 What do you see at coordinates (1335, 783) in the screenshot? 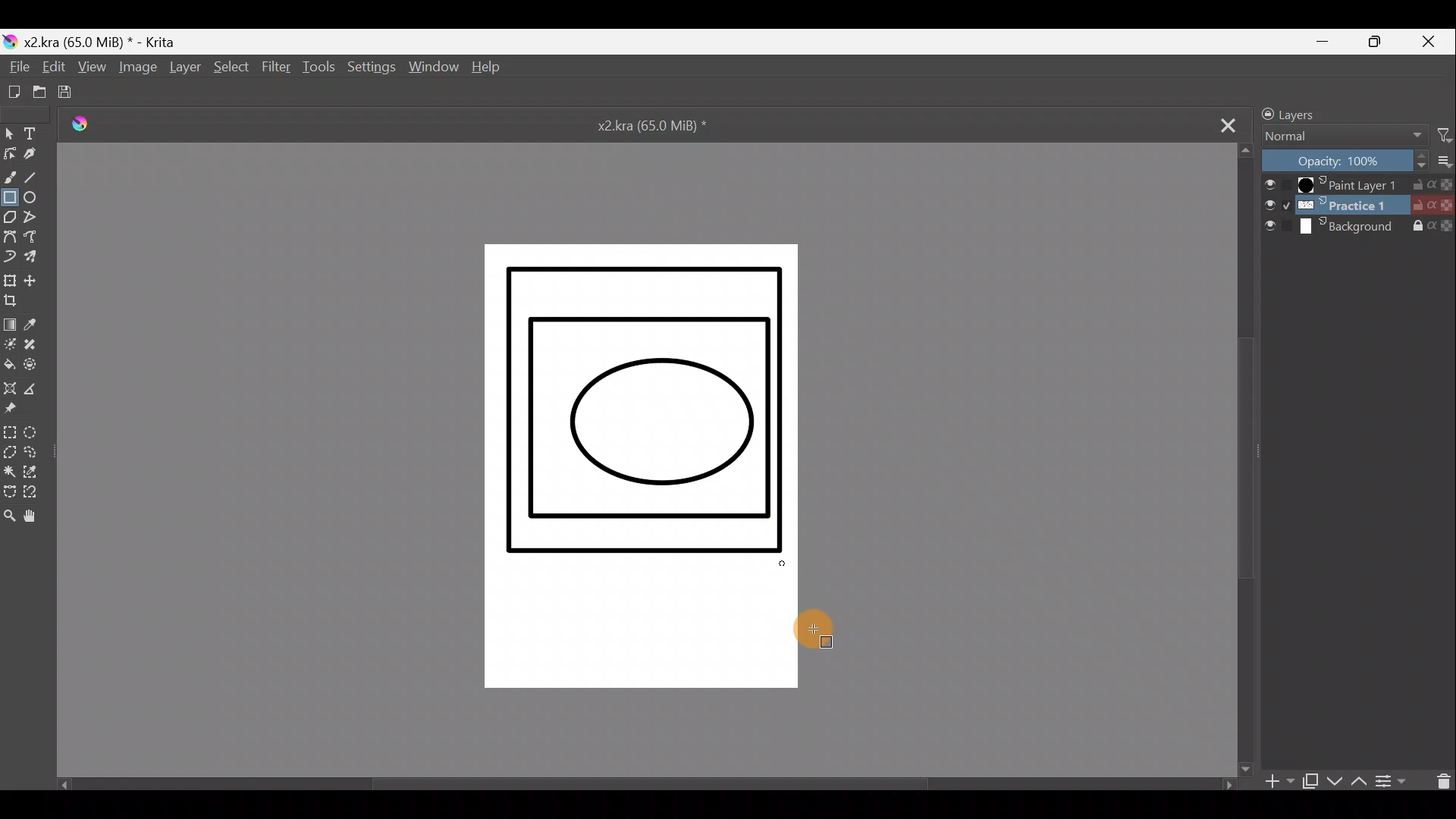
I see `Move layer/mask down` at bounding box center [1335, 783].